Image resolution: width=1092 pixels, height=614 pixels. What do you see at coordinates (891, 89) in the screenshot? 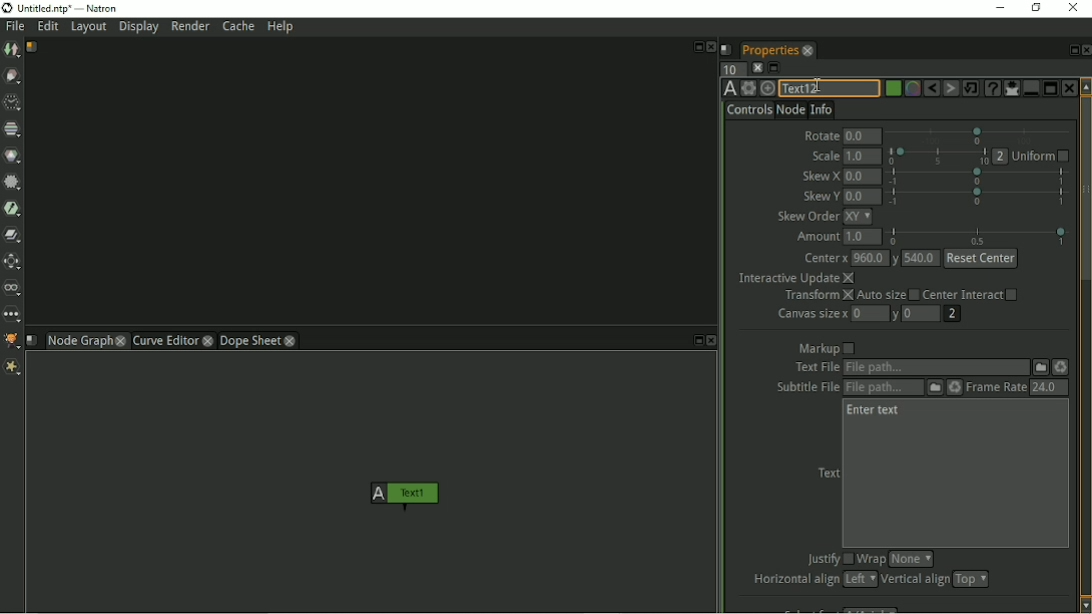
I see `Node color` at bounding box center [891, 89].